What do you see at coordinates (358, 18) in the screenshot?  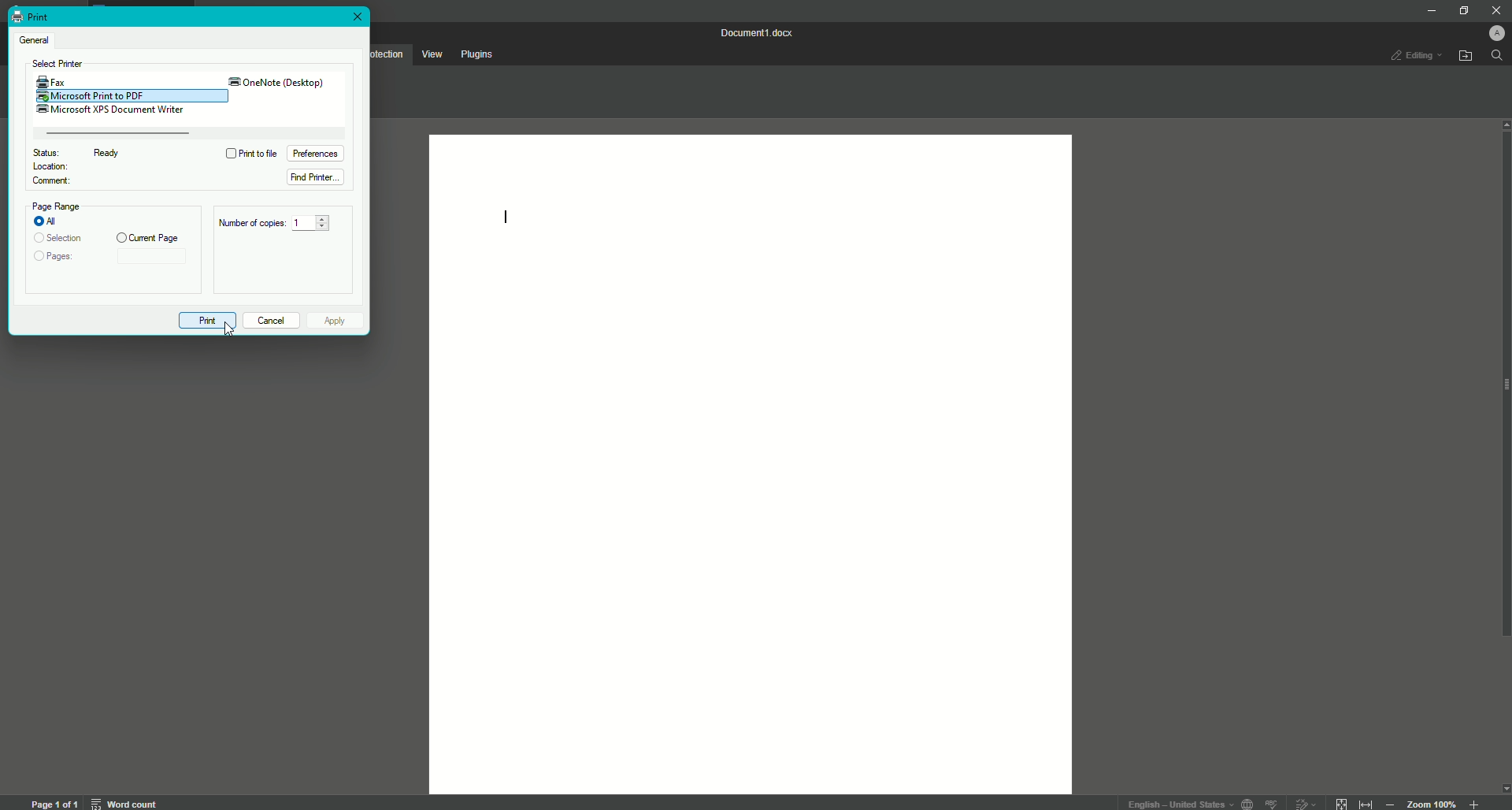 I see `Close` at bounding box center [358, 18].